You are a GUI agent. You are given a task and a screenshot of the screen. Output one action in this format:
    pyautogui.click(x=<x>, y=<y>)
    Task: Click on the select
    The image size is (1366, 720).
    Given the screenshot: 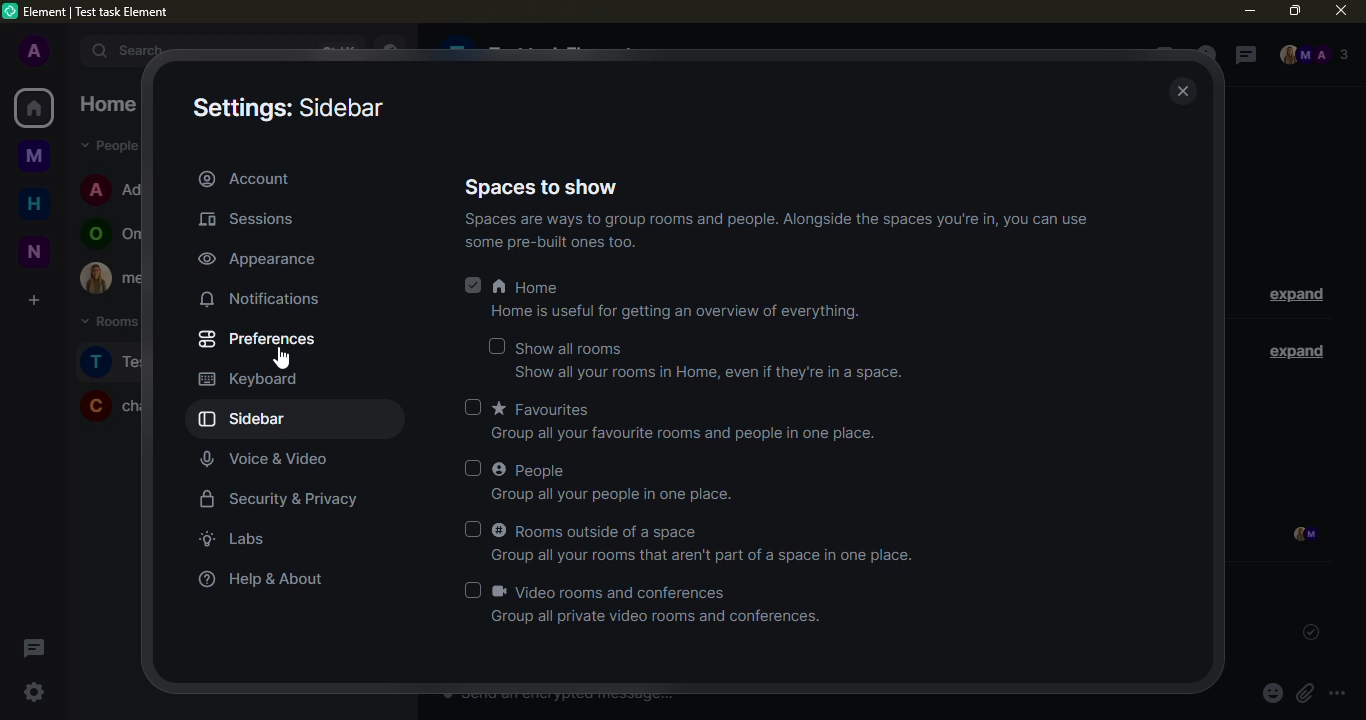 What is the action you would take?
    pyautogui.click(x=474, y=467)
    